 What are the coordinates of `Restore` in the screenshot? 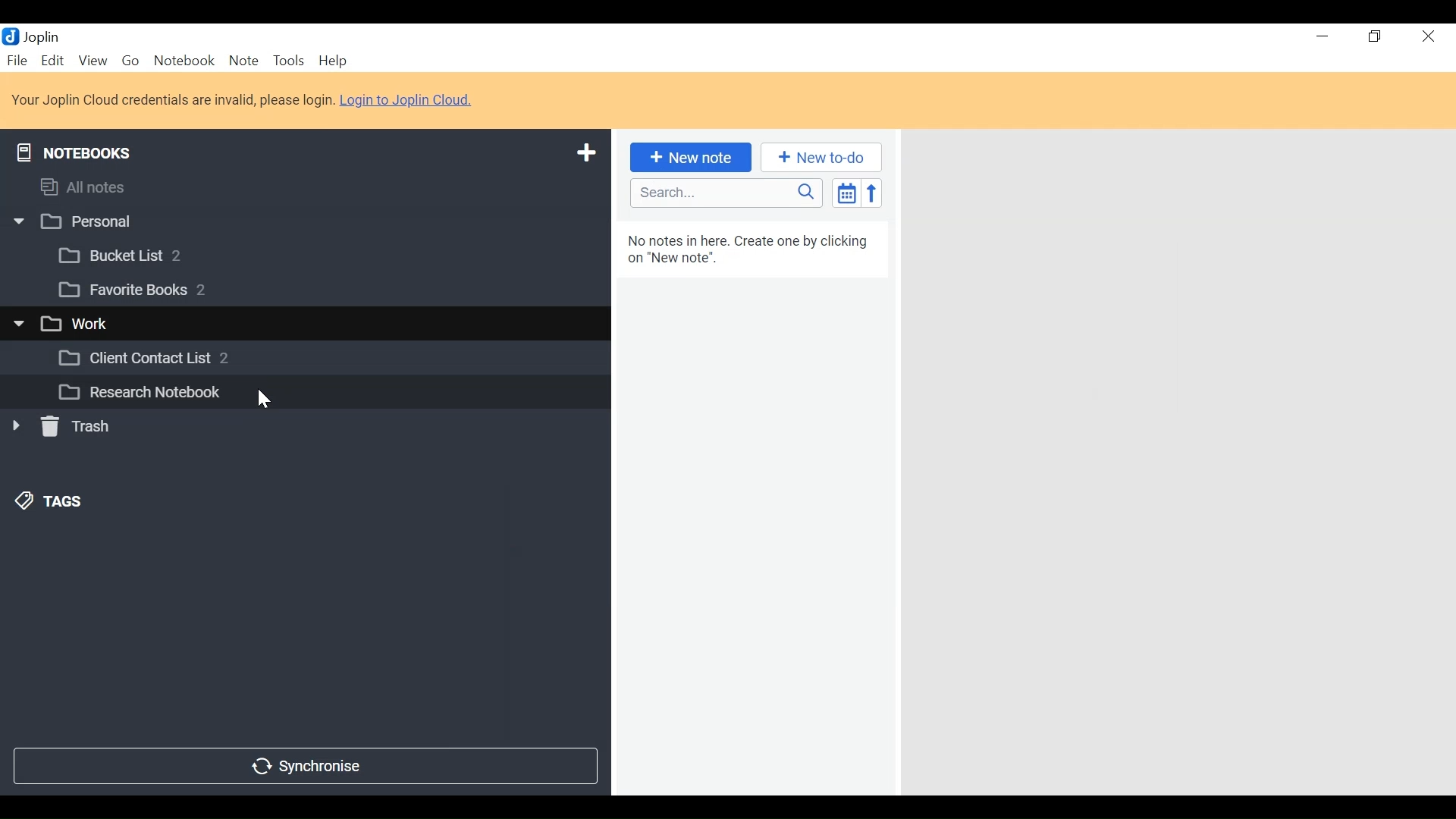 It's located at (1376, 37).